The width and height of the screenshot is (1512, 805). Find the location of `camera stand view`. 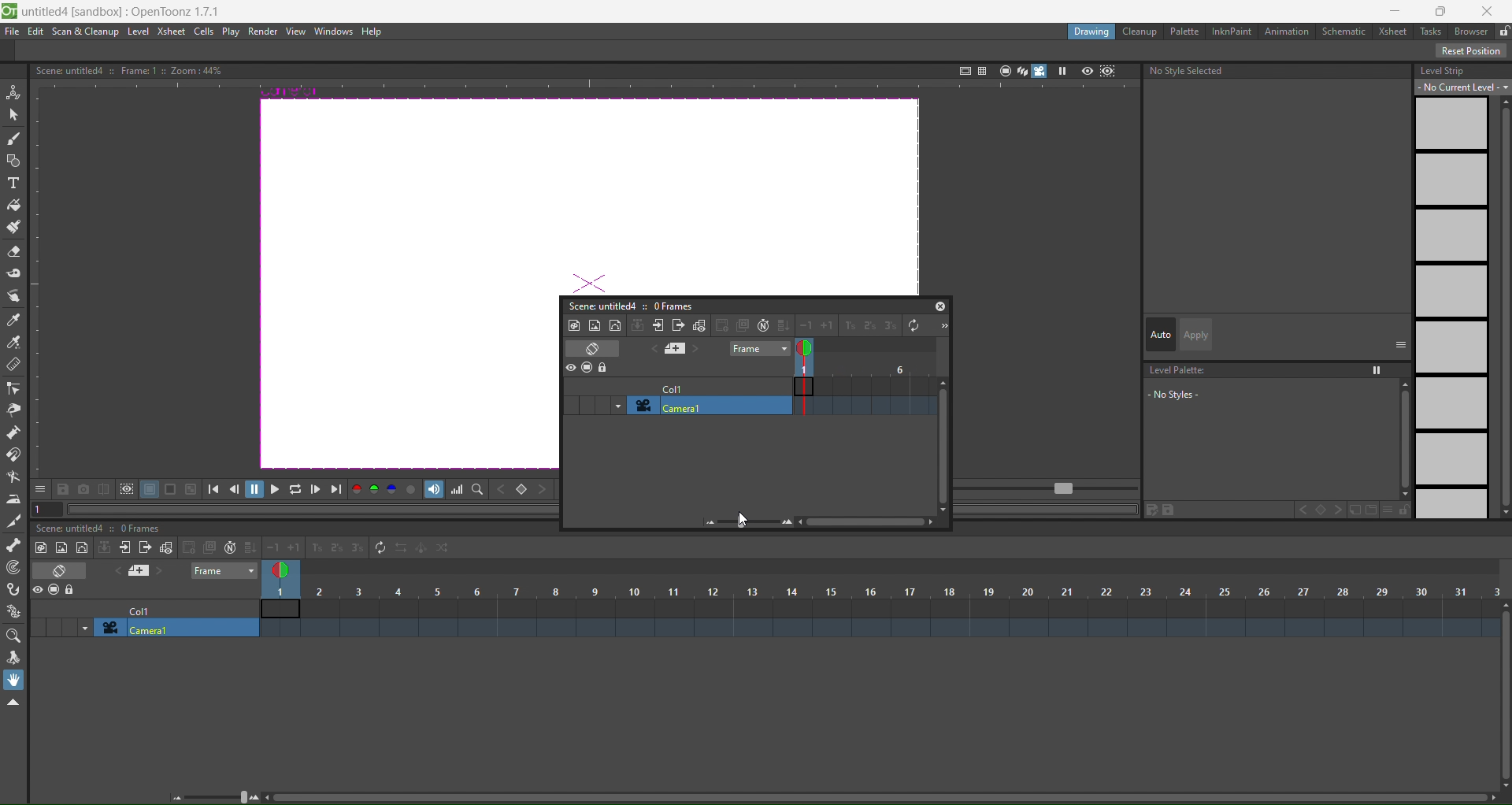

camera stand view is located at coordinates (1002, 69).